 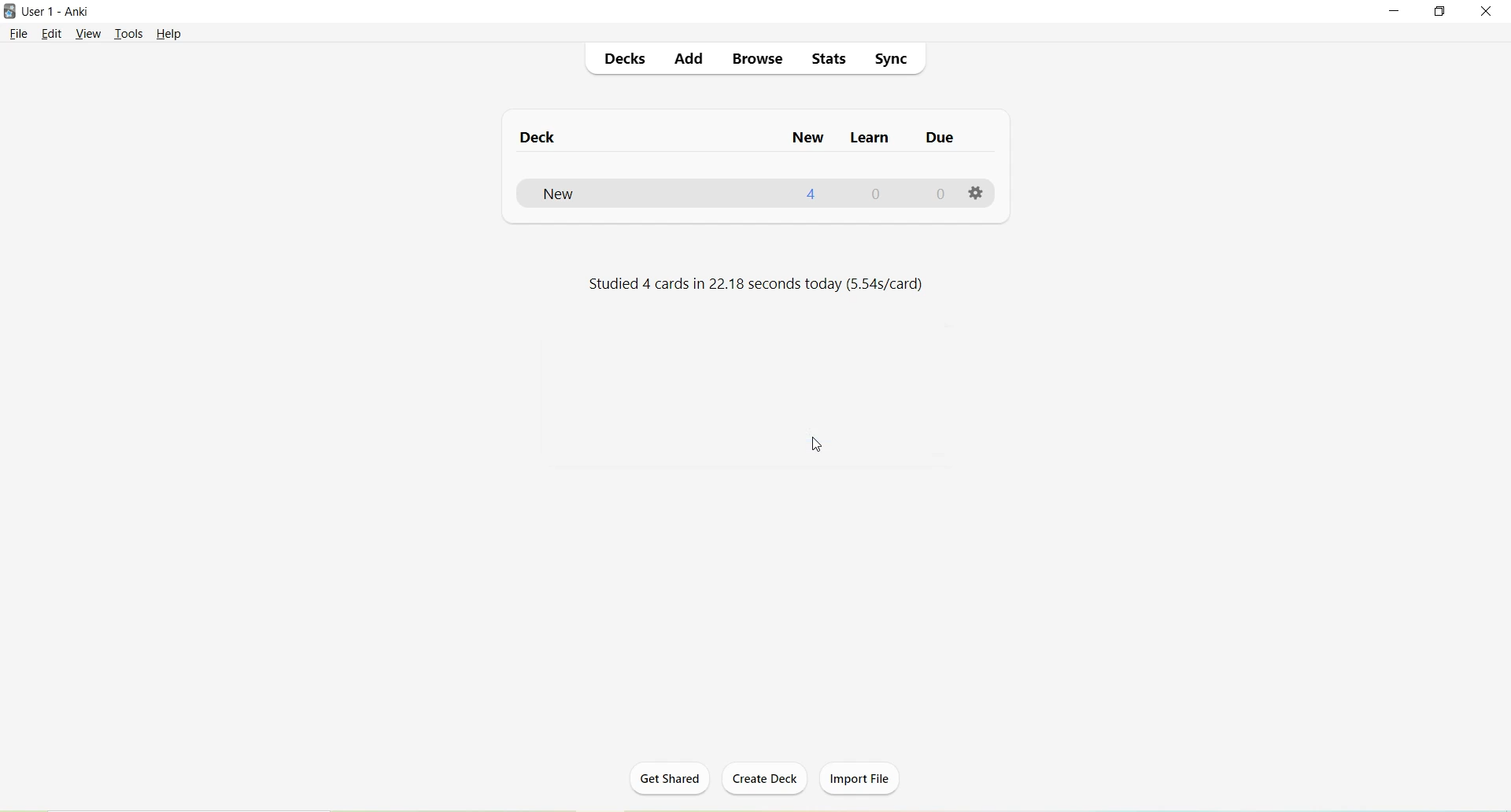 I want to click on Decks, so click(x=624, y=60).